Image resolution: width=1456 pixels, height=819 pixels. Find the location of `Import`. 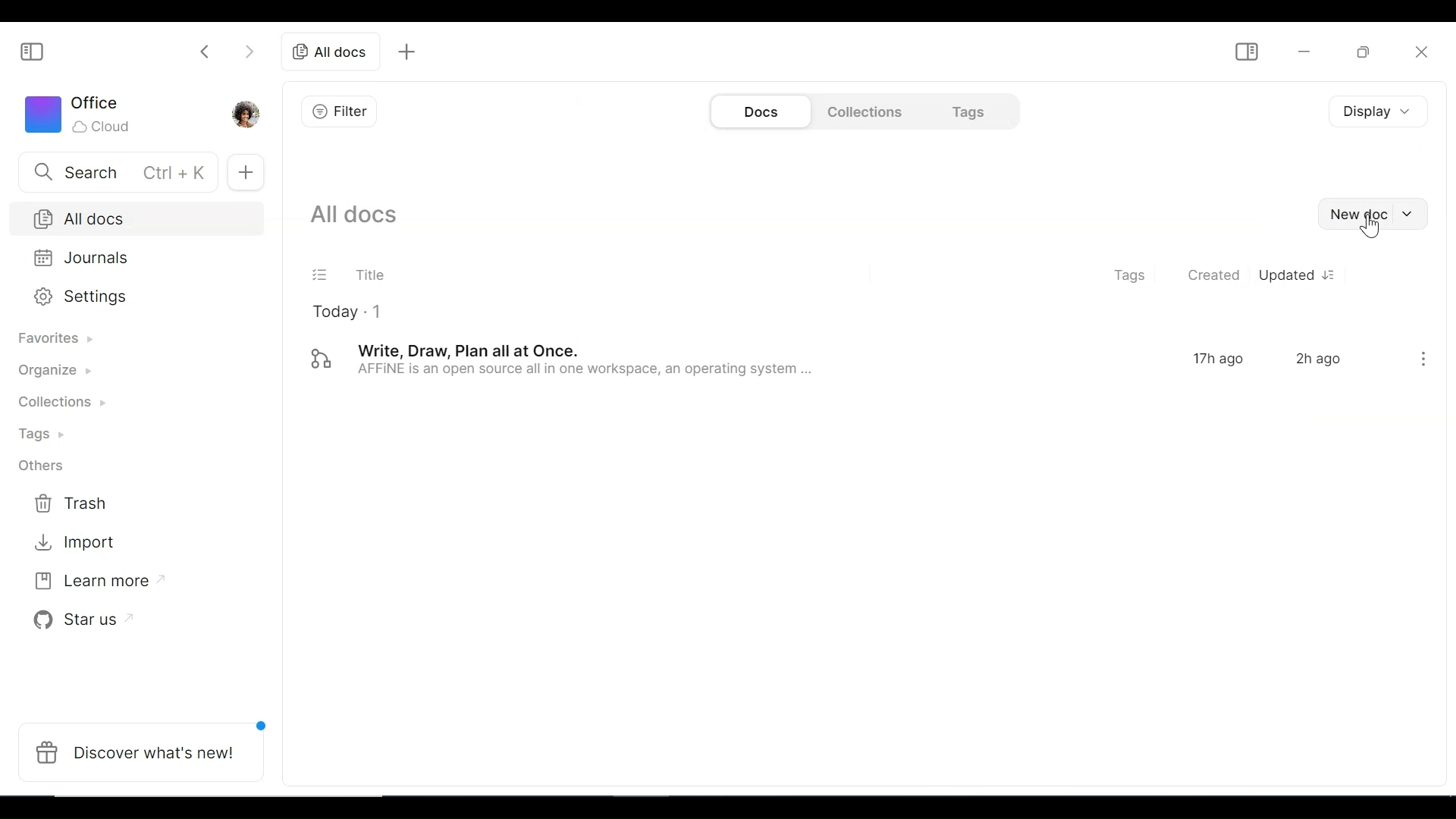

Import is located at coordinates (72, 544).